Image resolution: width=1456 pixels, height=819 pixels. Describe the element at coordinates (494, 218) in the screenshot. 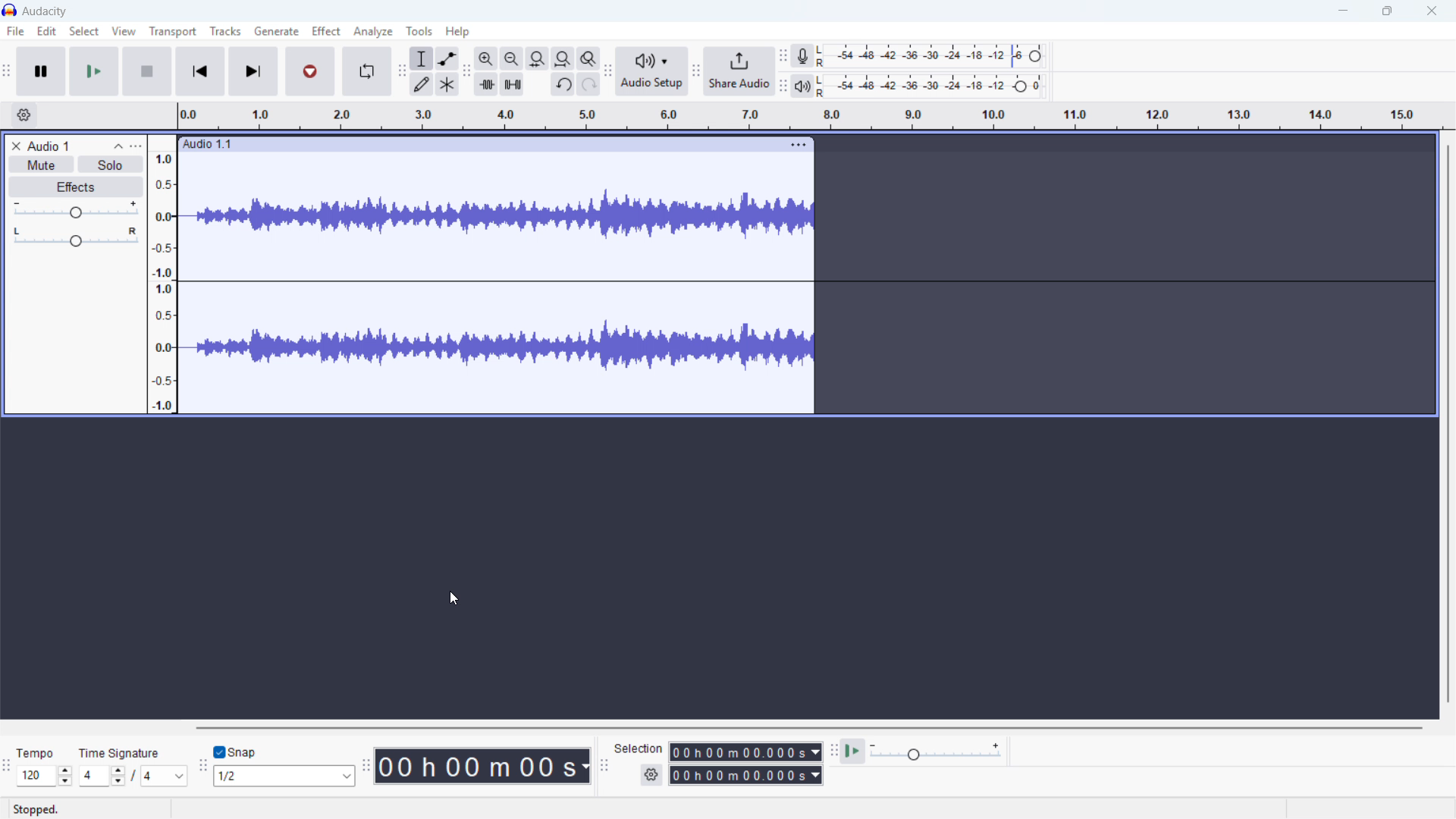

I see `Track waveform` at that location.